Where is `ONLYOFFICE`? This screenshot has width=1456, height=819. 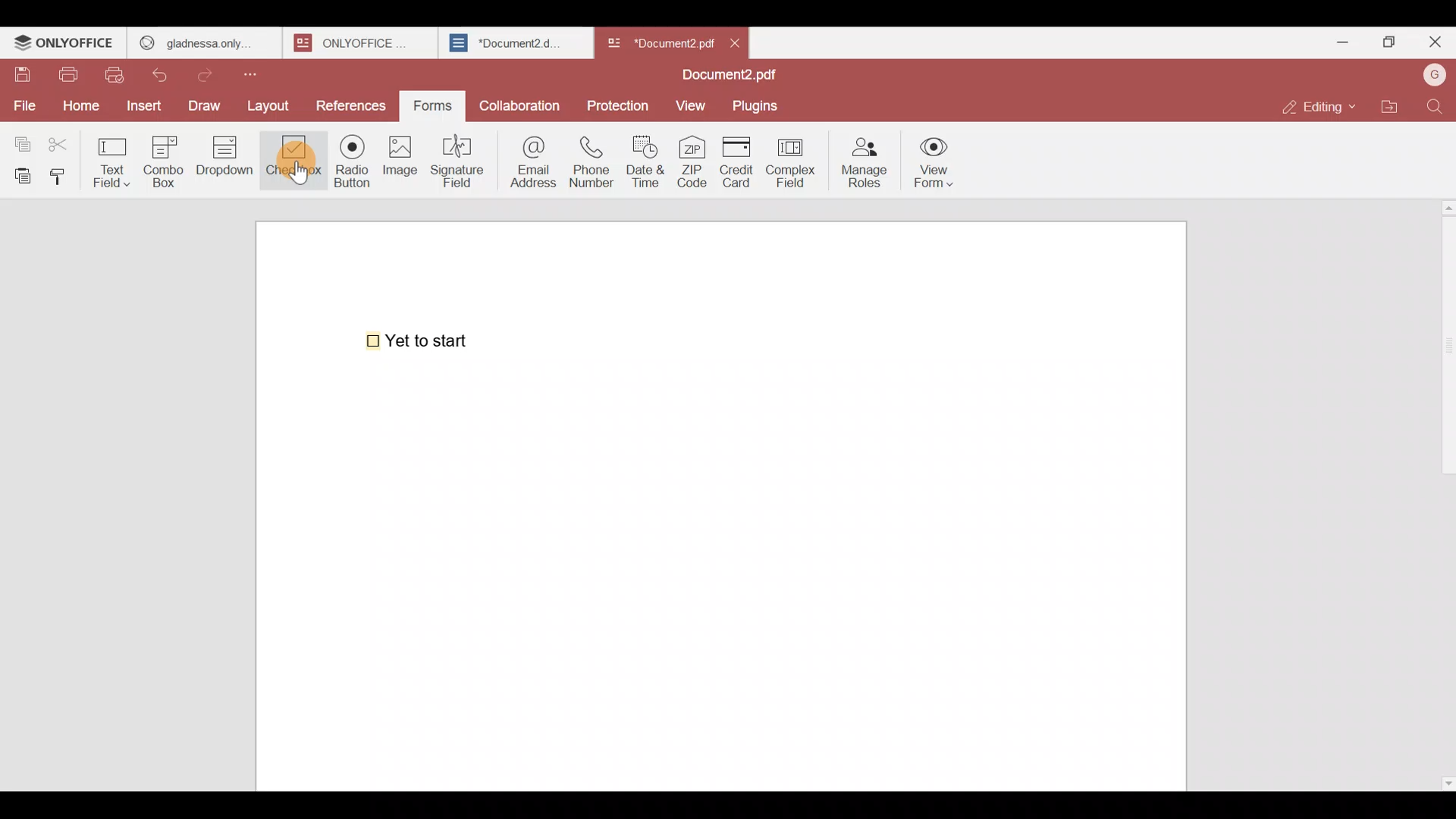
ONLYOFFICE is located at coordinates (64, 45).